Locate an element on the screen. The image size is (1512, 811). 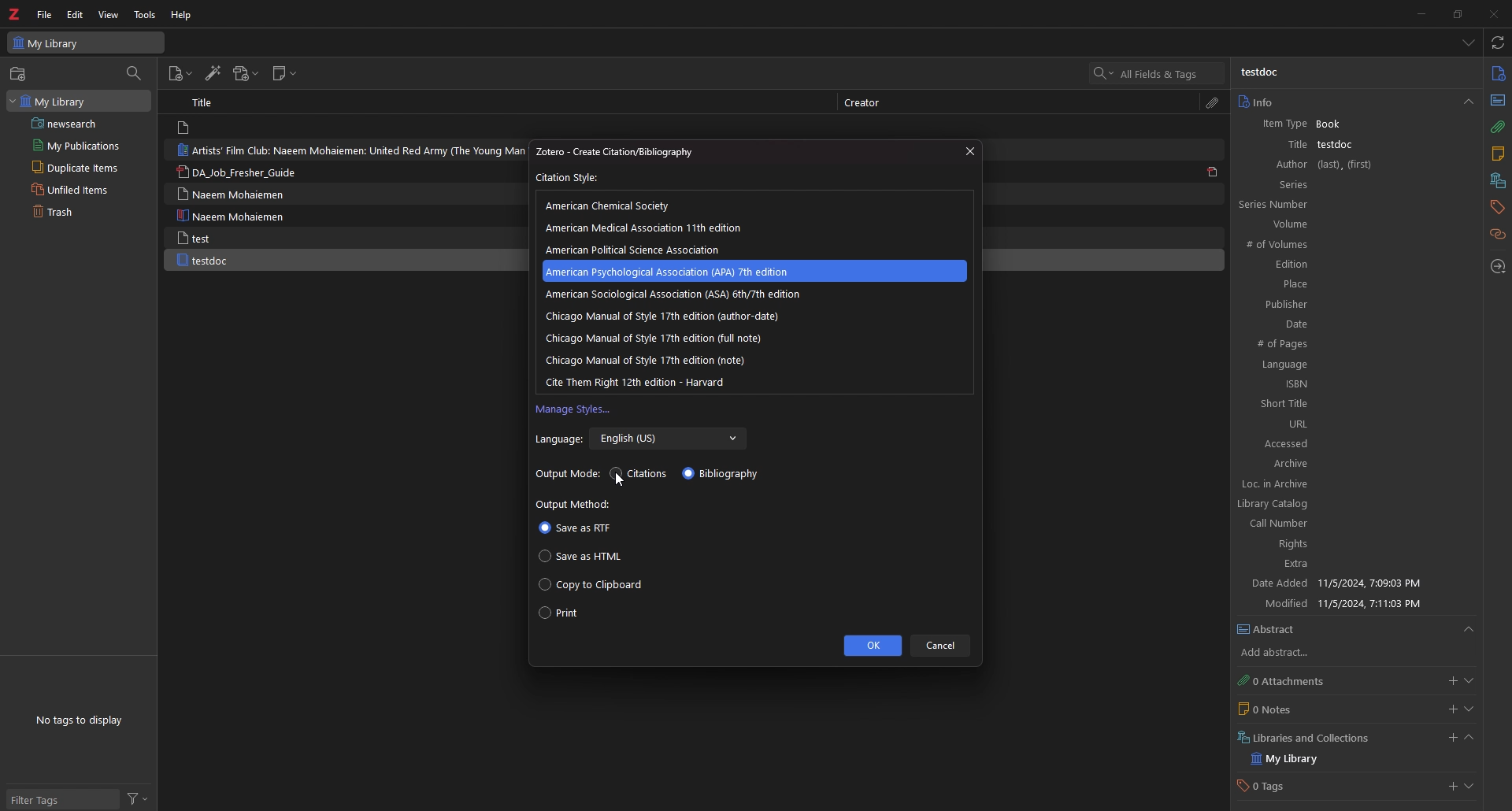
my publications is located at coordinates (77, 145).